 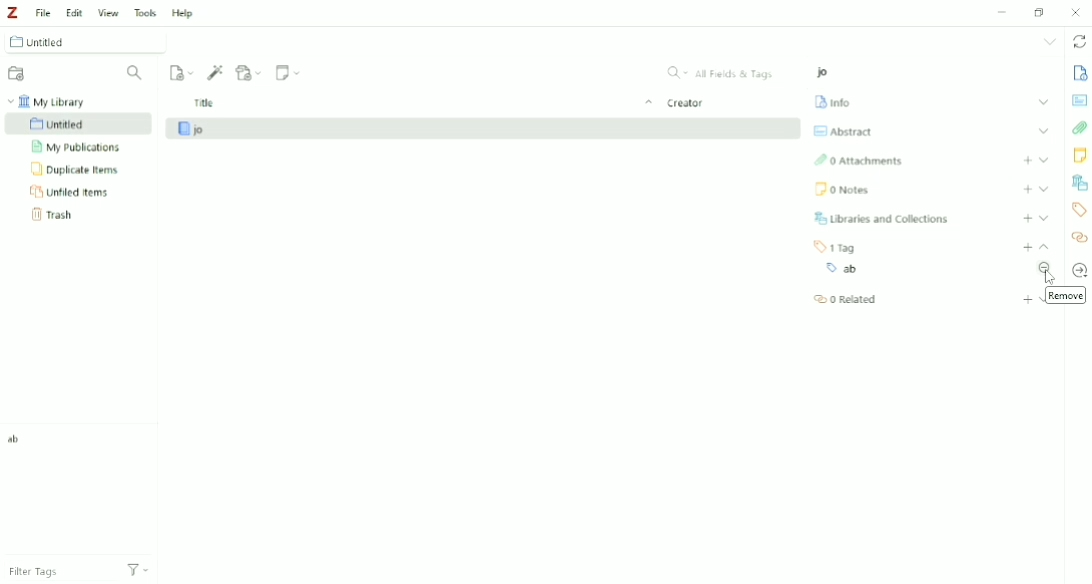 What do you see at coordinates (1051, 278) in the screenshot?
I see `cursor on remove` at bounding box center [1051, 278].